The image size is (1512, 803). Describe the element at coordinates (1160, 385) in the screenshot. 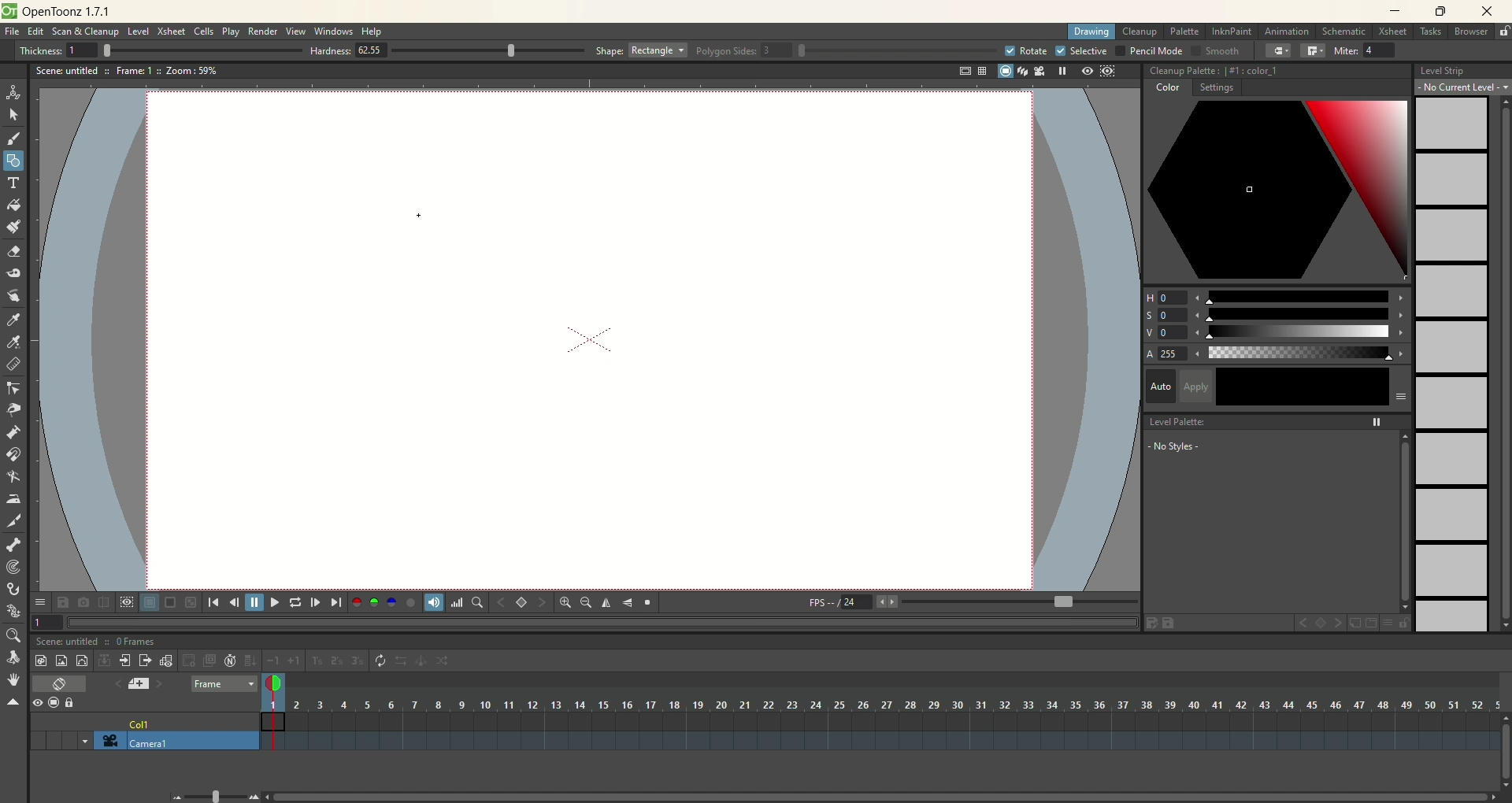

I see `auto` at that location.